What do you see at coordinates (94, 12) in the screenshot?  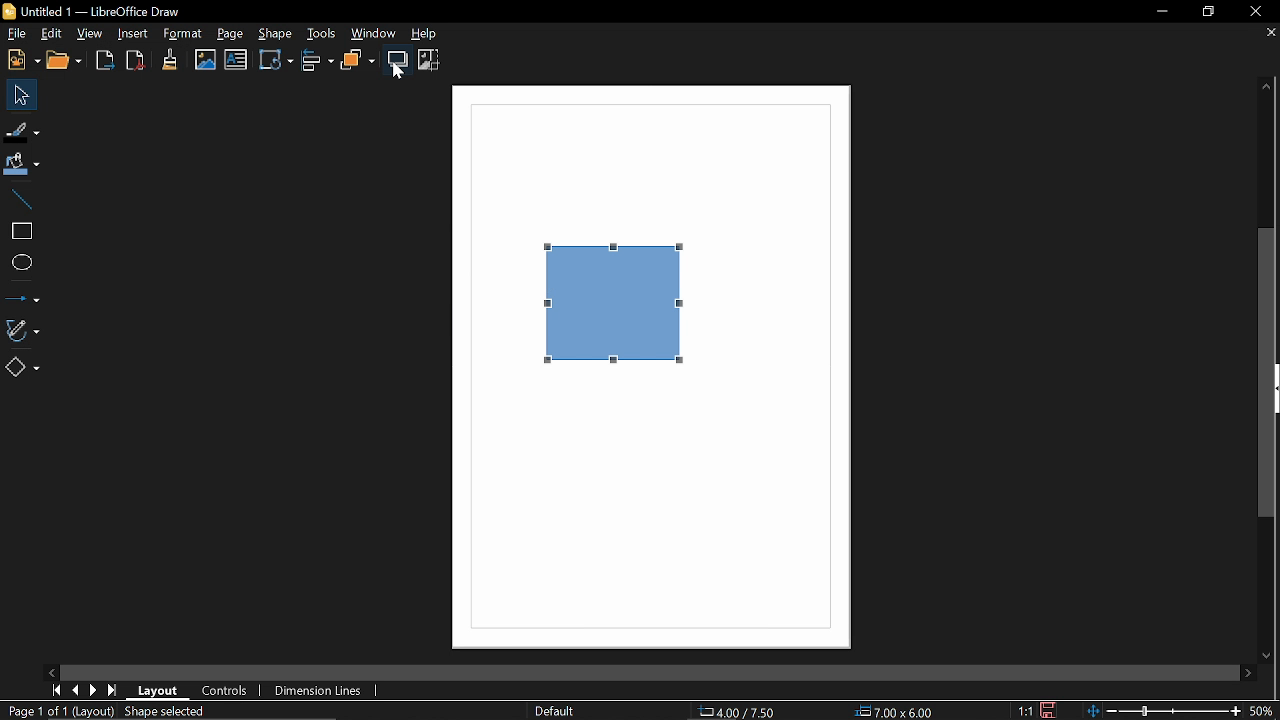 I see `Current window` at bounding box center [94, 12].